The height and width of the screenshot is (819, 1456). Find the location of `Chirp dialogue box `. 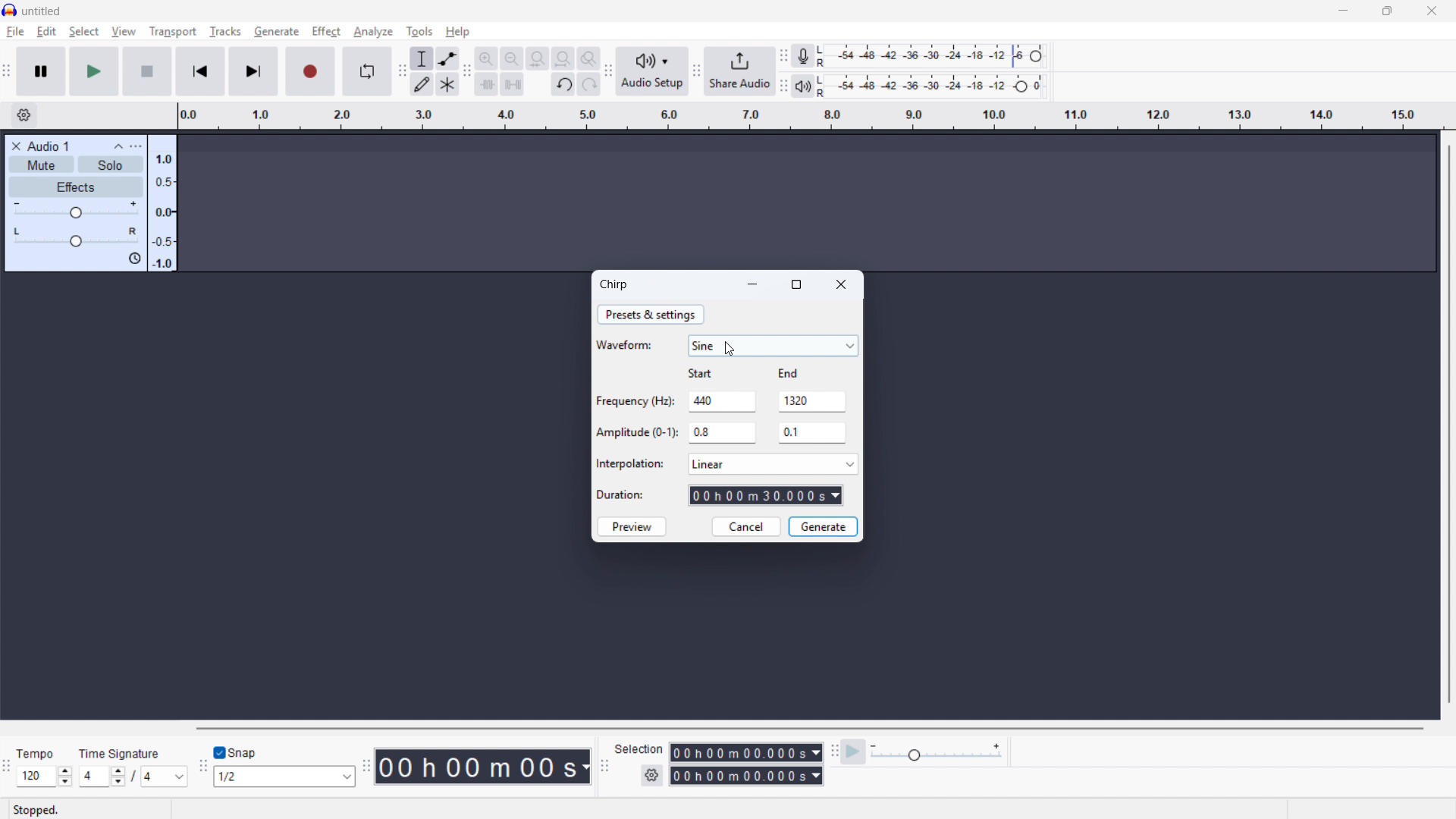

Chirp dialogue box  is located at coordinates (613, 284).